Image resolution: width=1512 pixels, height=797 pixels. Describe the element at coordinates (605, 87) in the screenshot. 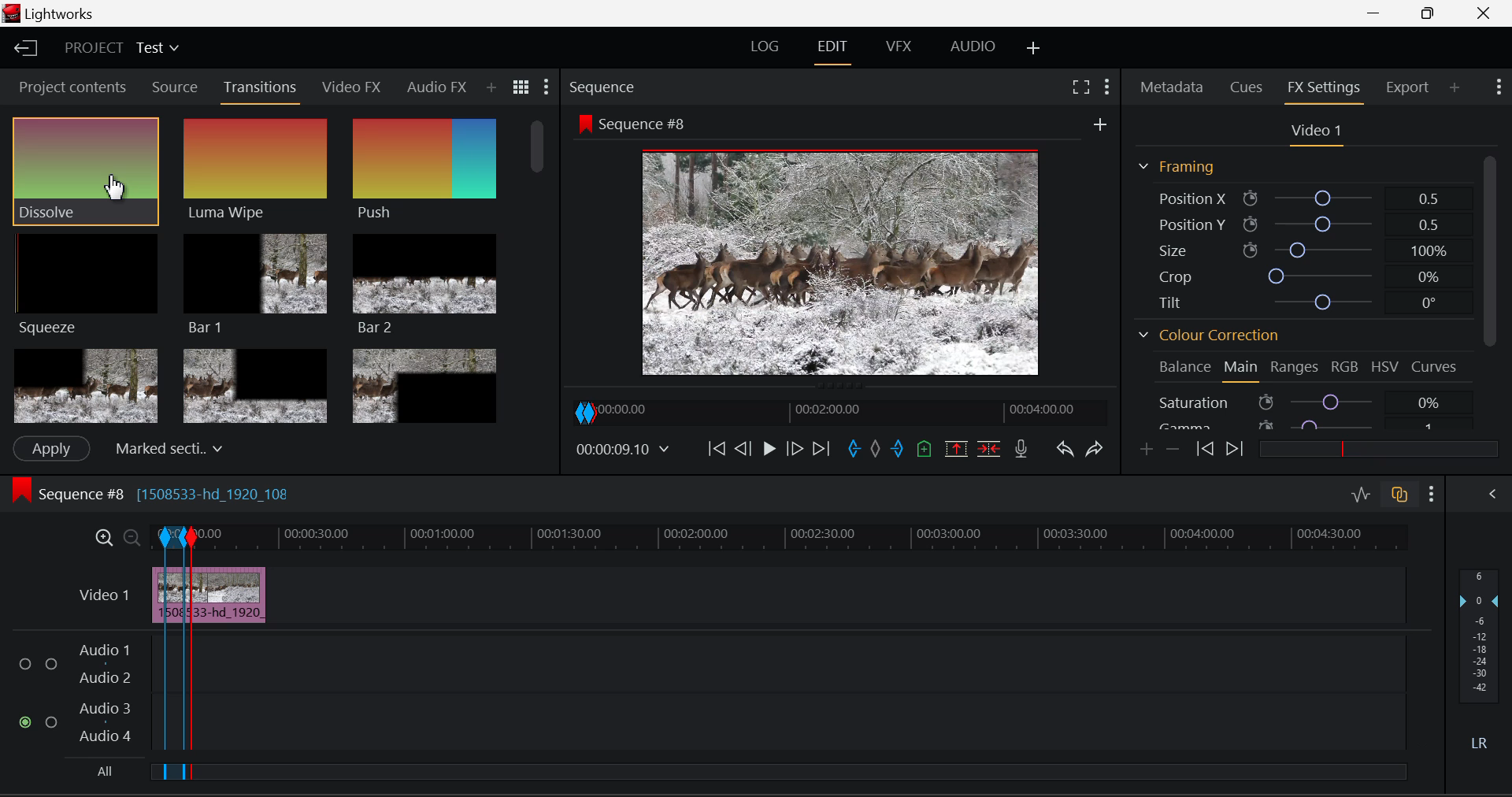

I see `Sequence Preview Section` at that location.